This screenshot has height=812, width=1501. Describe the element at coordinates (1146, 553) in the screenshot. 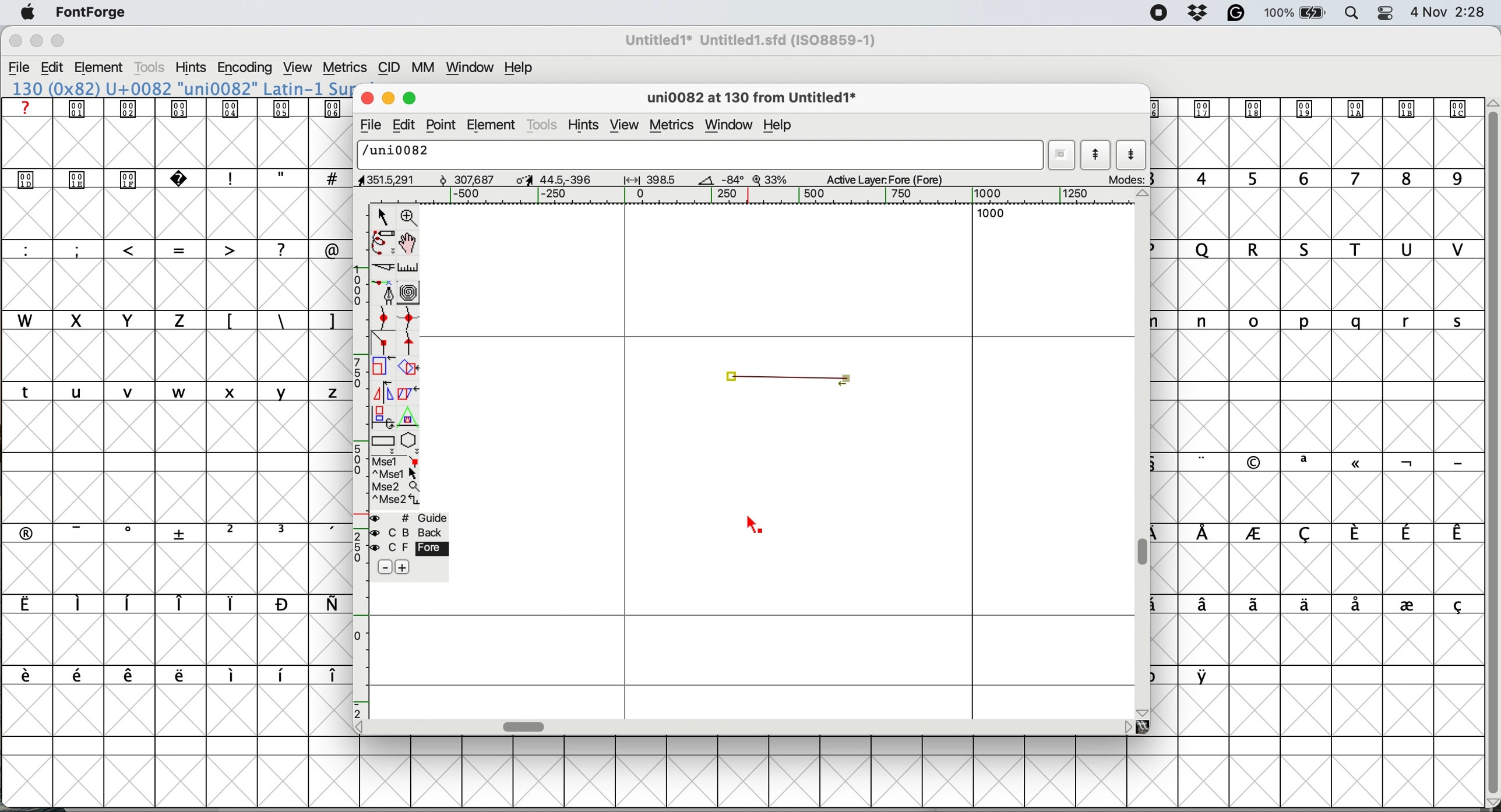

I see `vertical scroll bar` at that location.